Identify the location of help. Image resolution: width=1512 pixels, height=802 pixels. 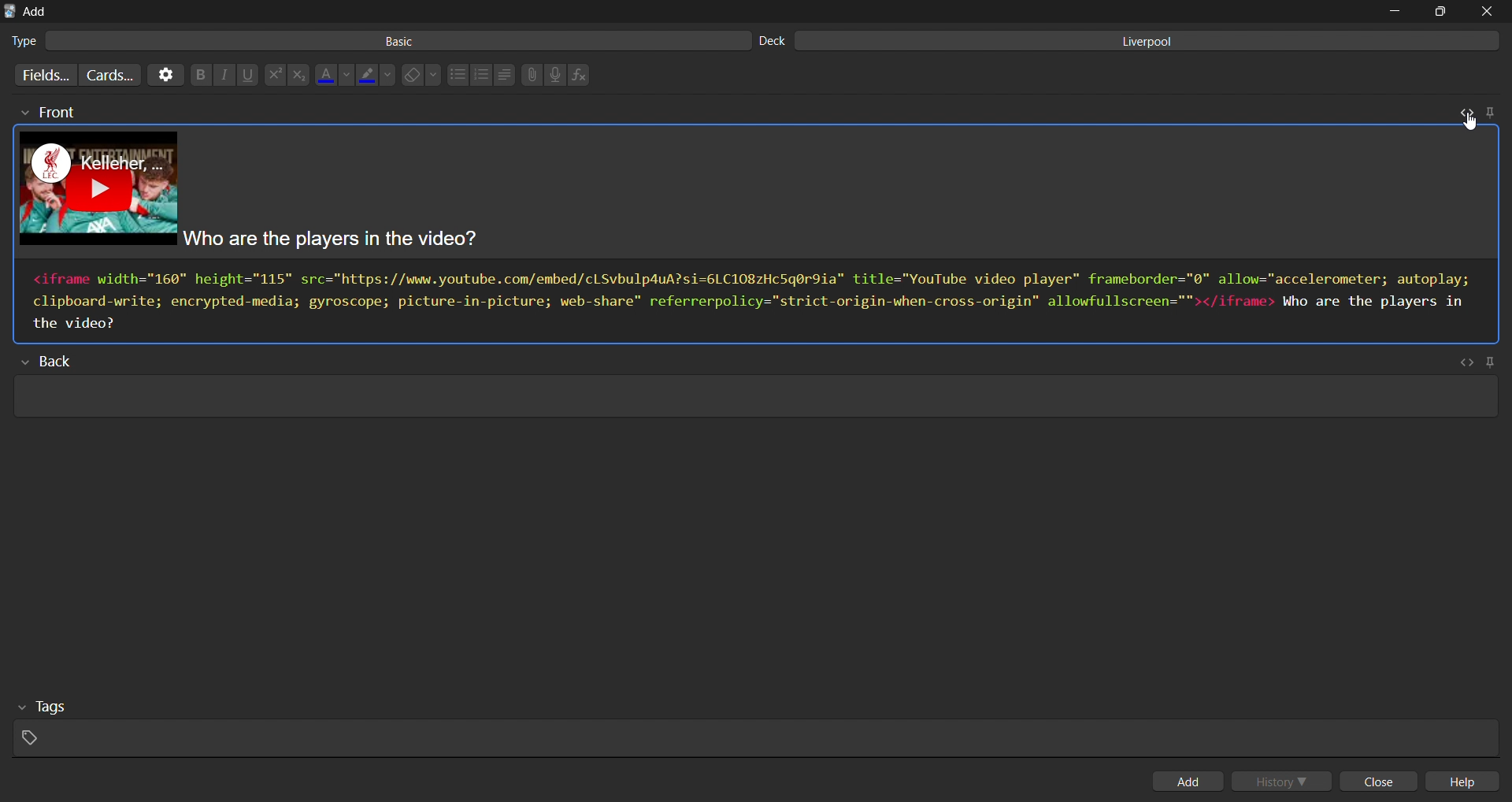
(1469, 782).